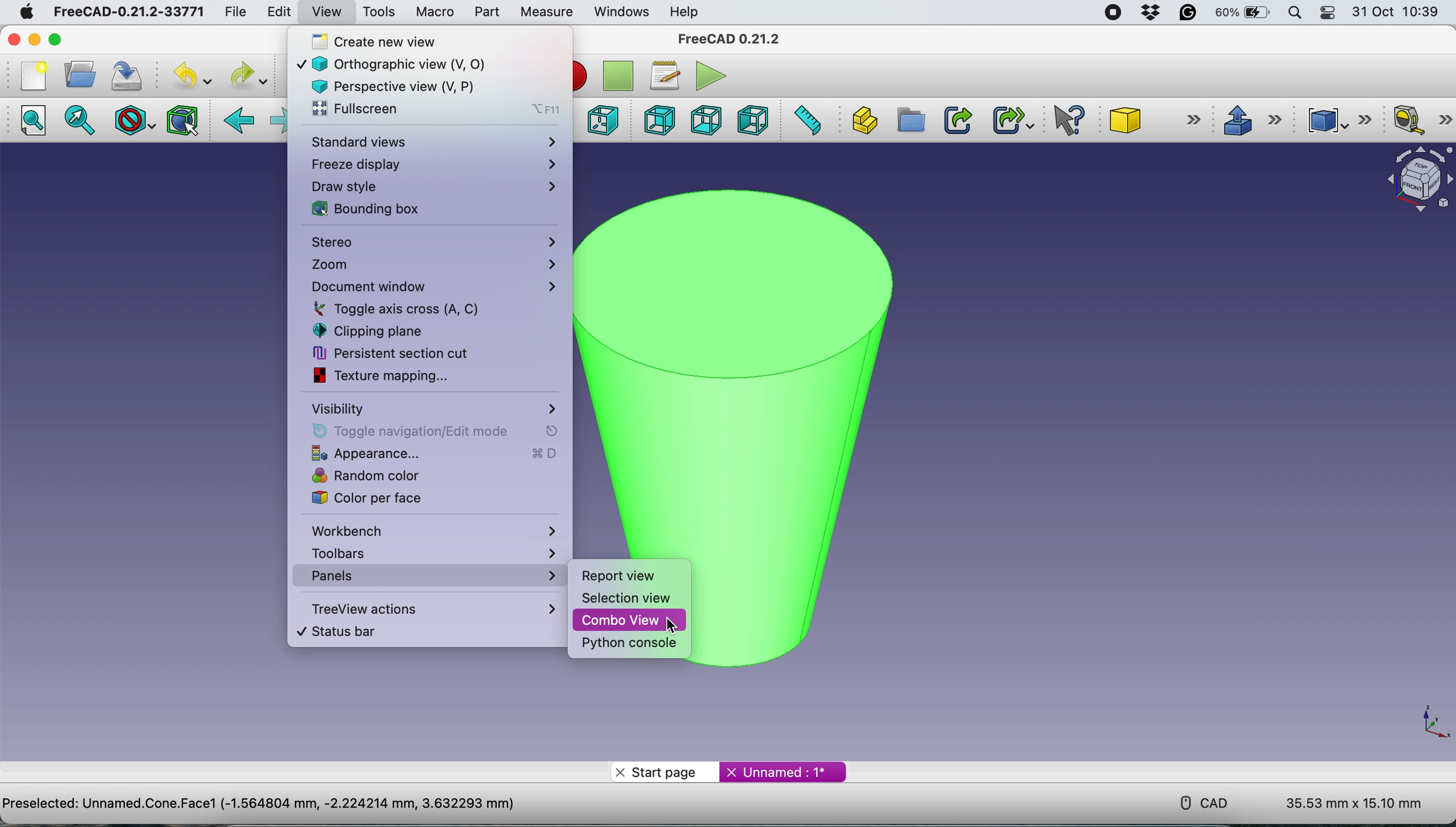  What do you see at coordinates (34, 39) in the screenshot?
I see `minimise` at bounding box center [34, 39].